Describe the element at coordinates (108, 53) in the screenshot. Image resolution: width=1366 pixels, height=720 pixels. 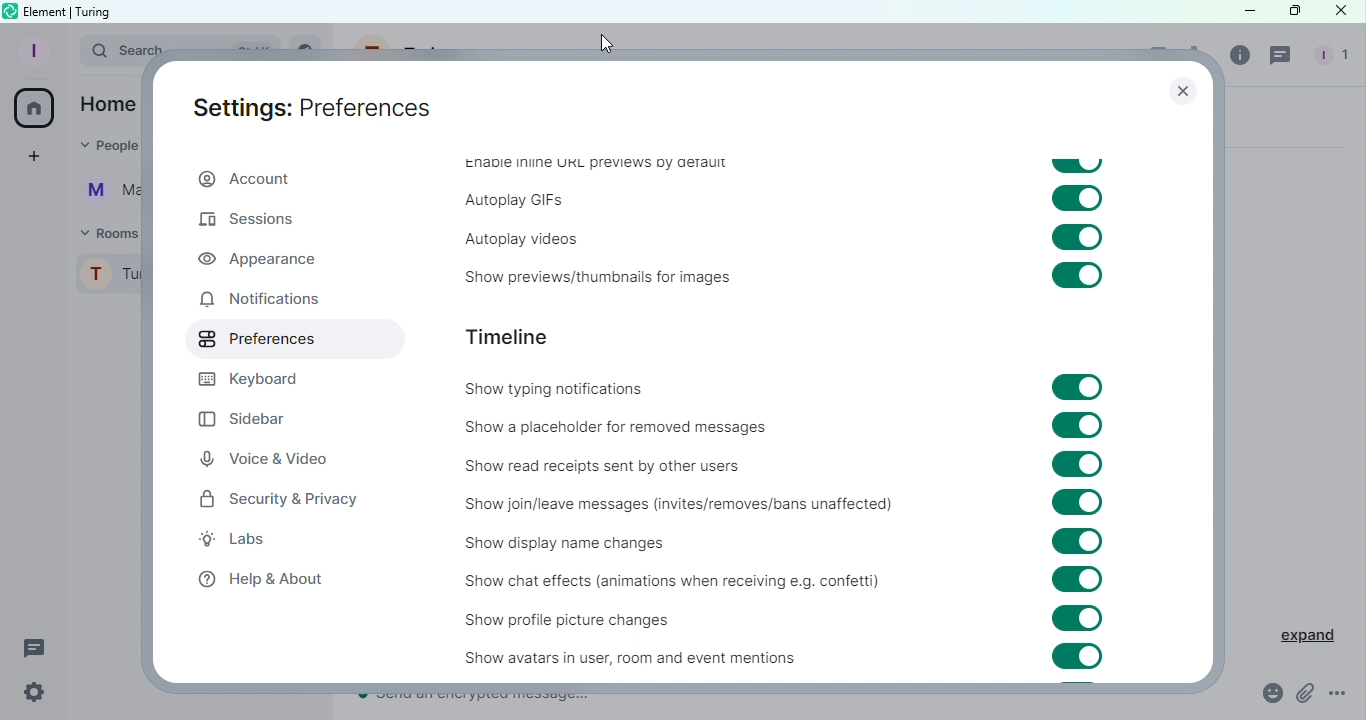
I see `Search` at that location.